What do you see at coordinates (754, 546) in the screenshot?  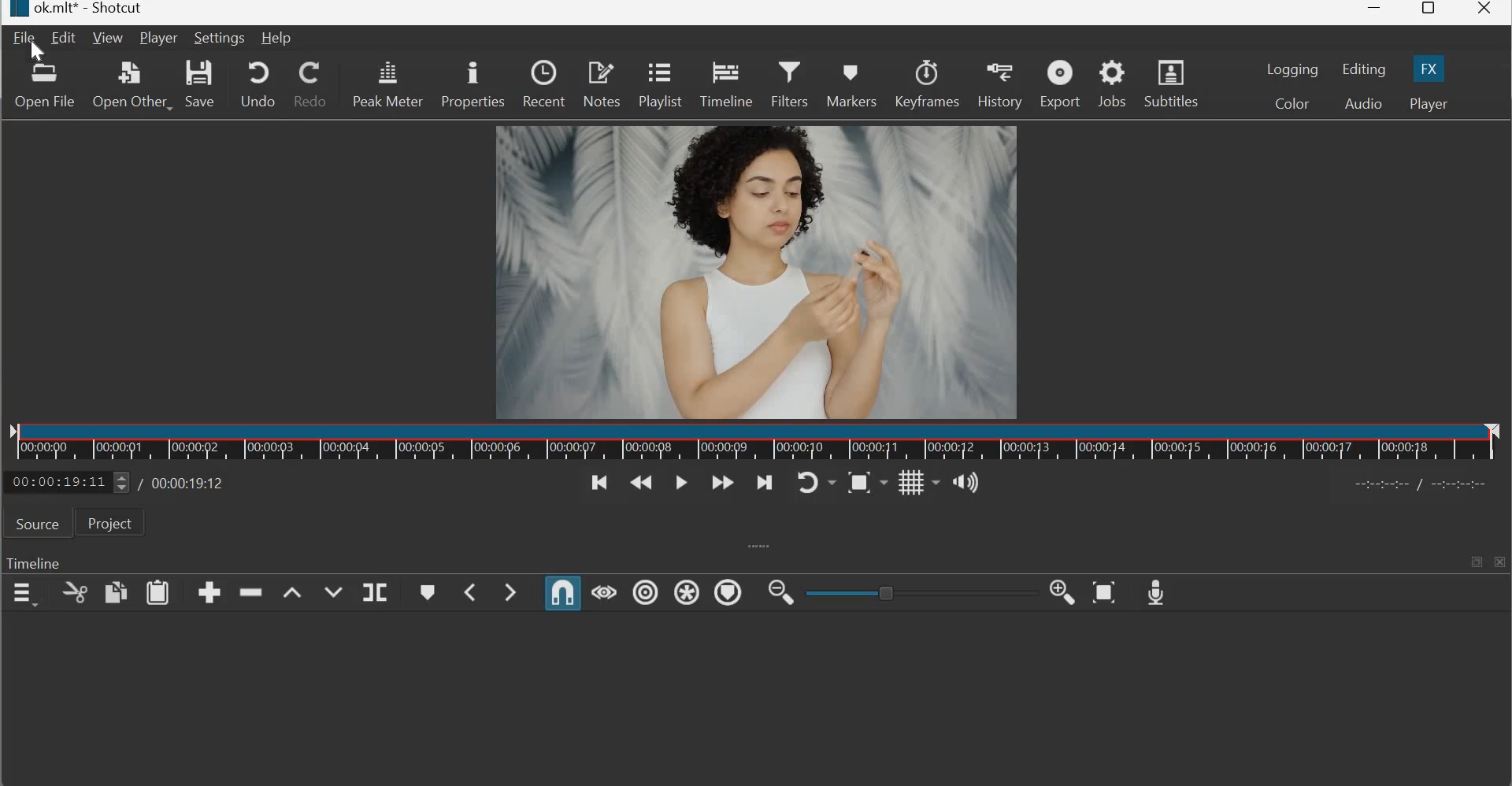 I see `expand` at bounding box center [754, 546].